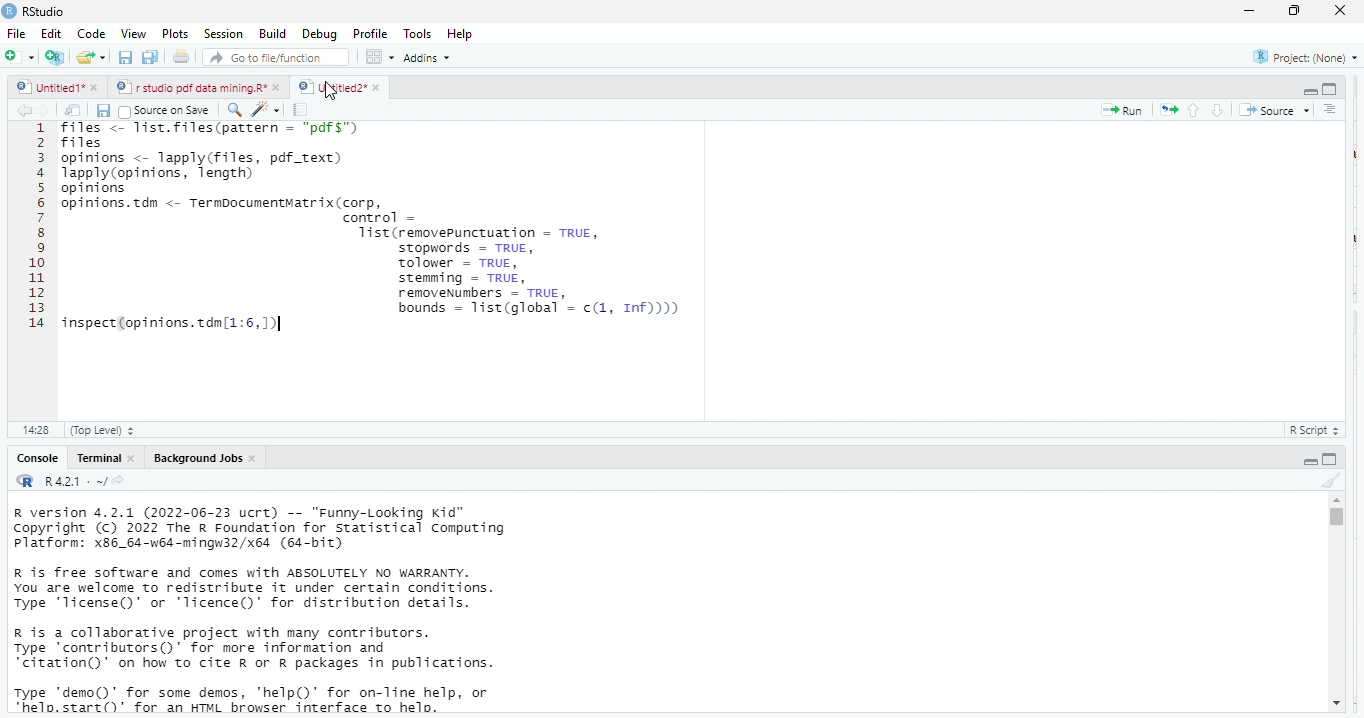 This screenshot has width=1364, height=718. What do you see at coordinates (222, 34) in the screenshot?
I see `session` at bounding box center [222, 34].